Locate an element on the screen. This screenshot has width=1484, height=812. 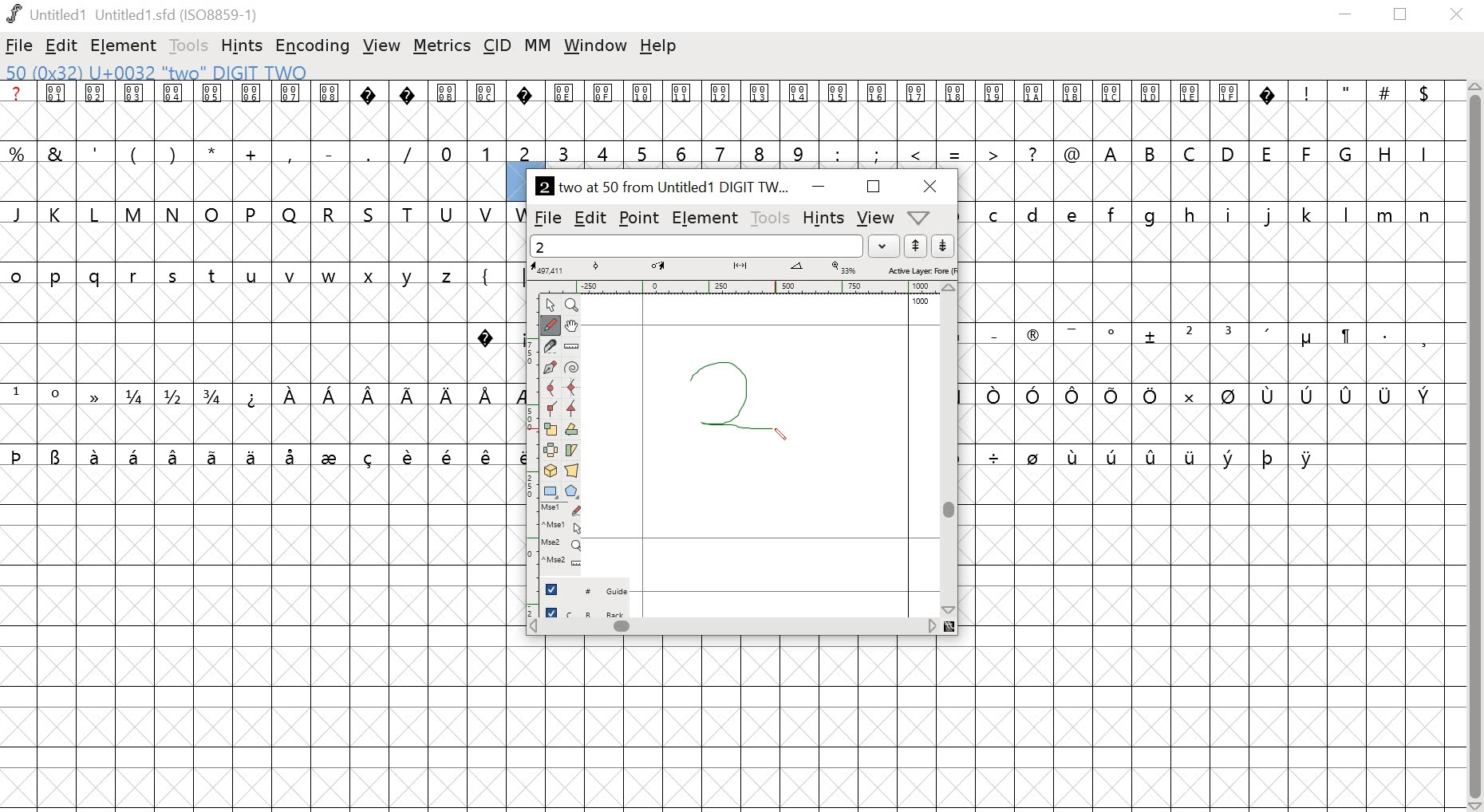
back layer is located at coordinates (590, 609).